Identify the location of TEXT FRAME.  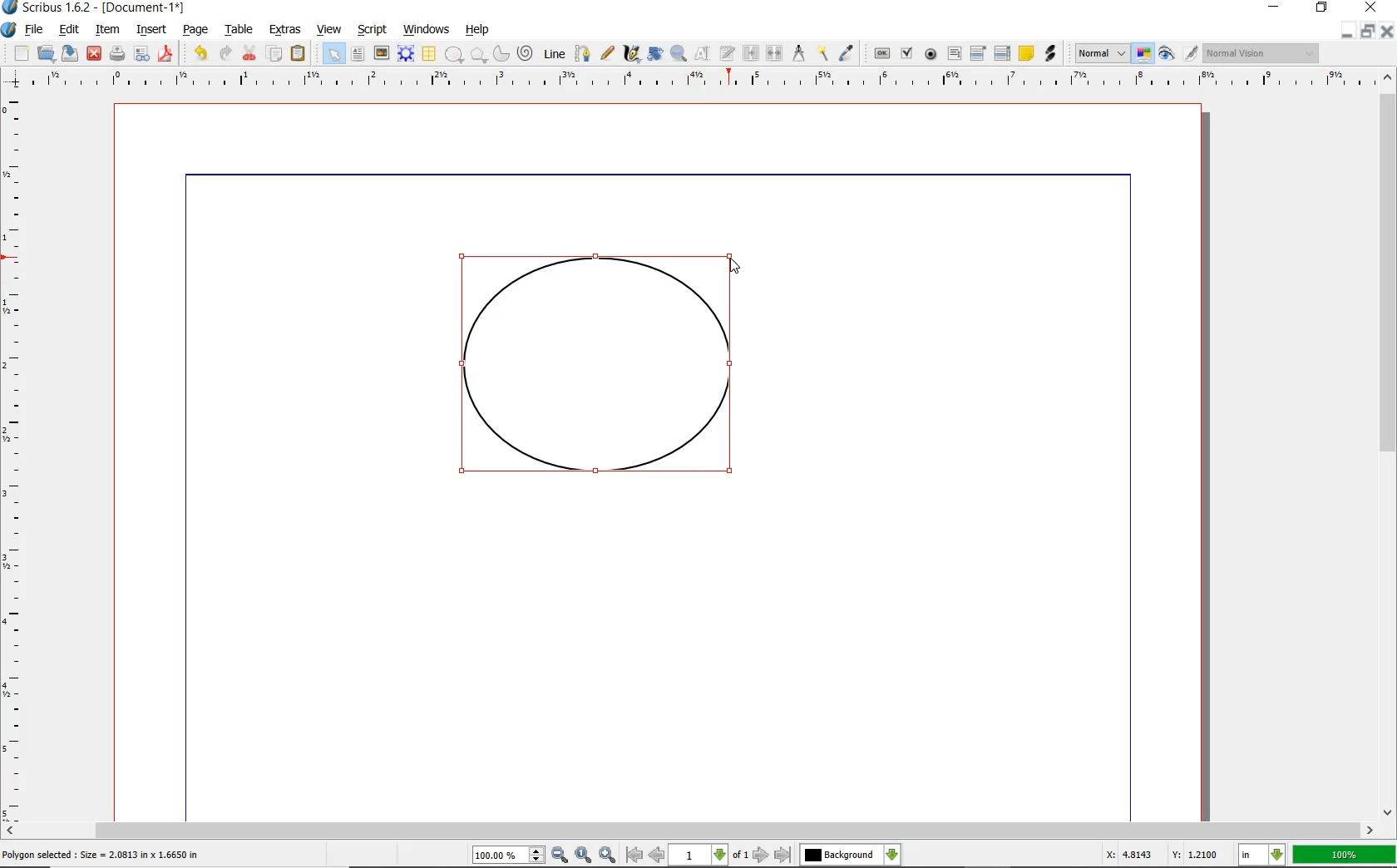
(358, 53).